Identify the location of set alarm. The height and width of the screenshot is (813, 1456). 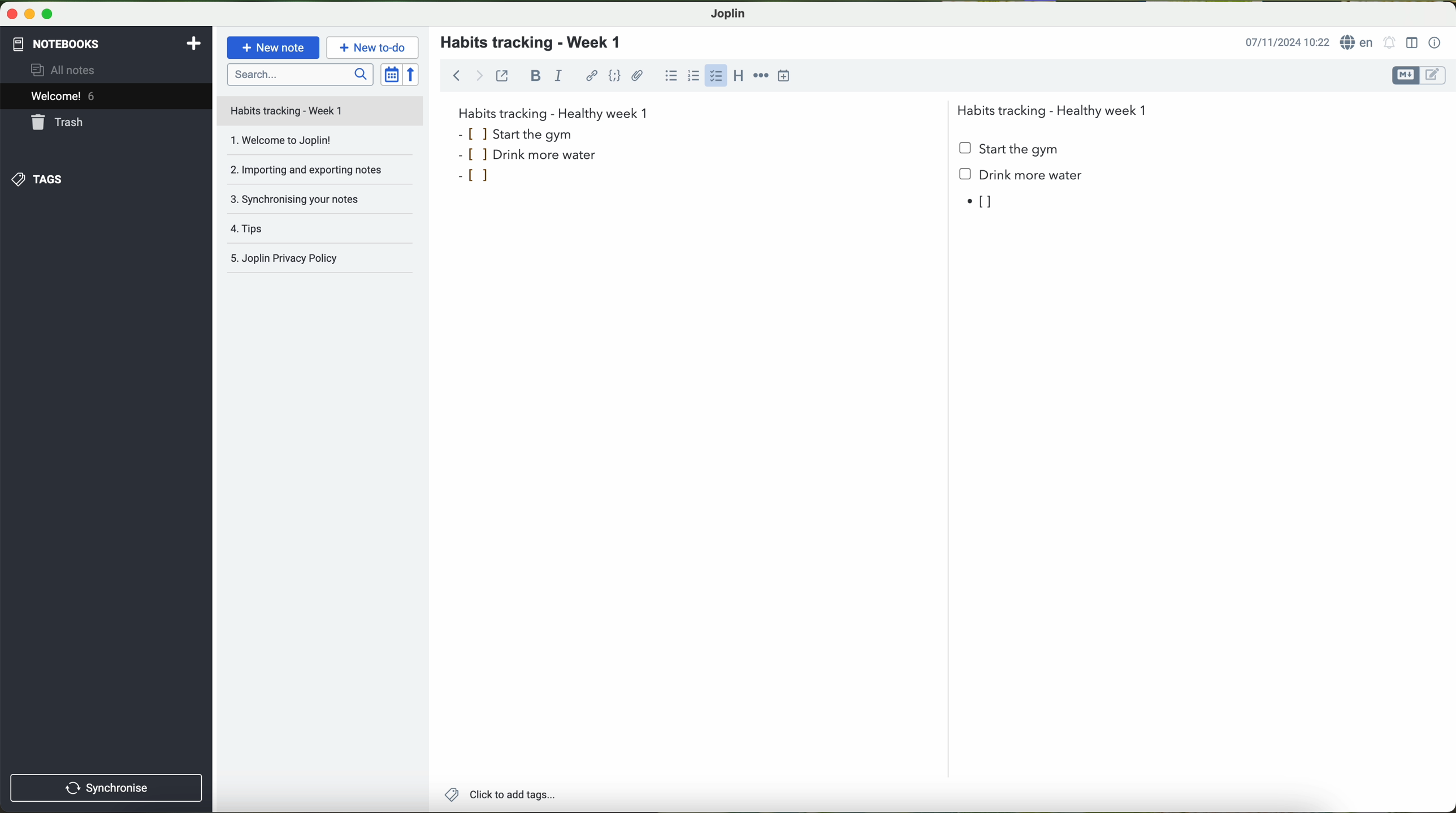
(1390, 42).